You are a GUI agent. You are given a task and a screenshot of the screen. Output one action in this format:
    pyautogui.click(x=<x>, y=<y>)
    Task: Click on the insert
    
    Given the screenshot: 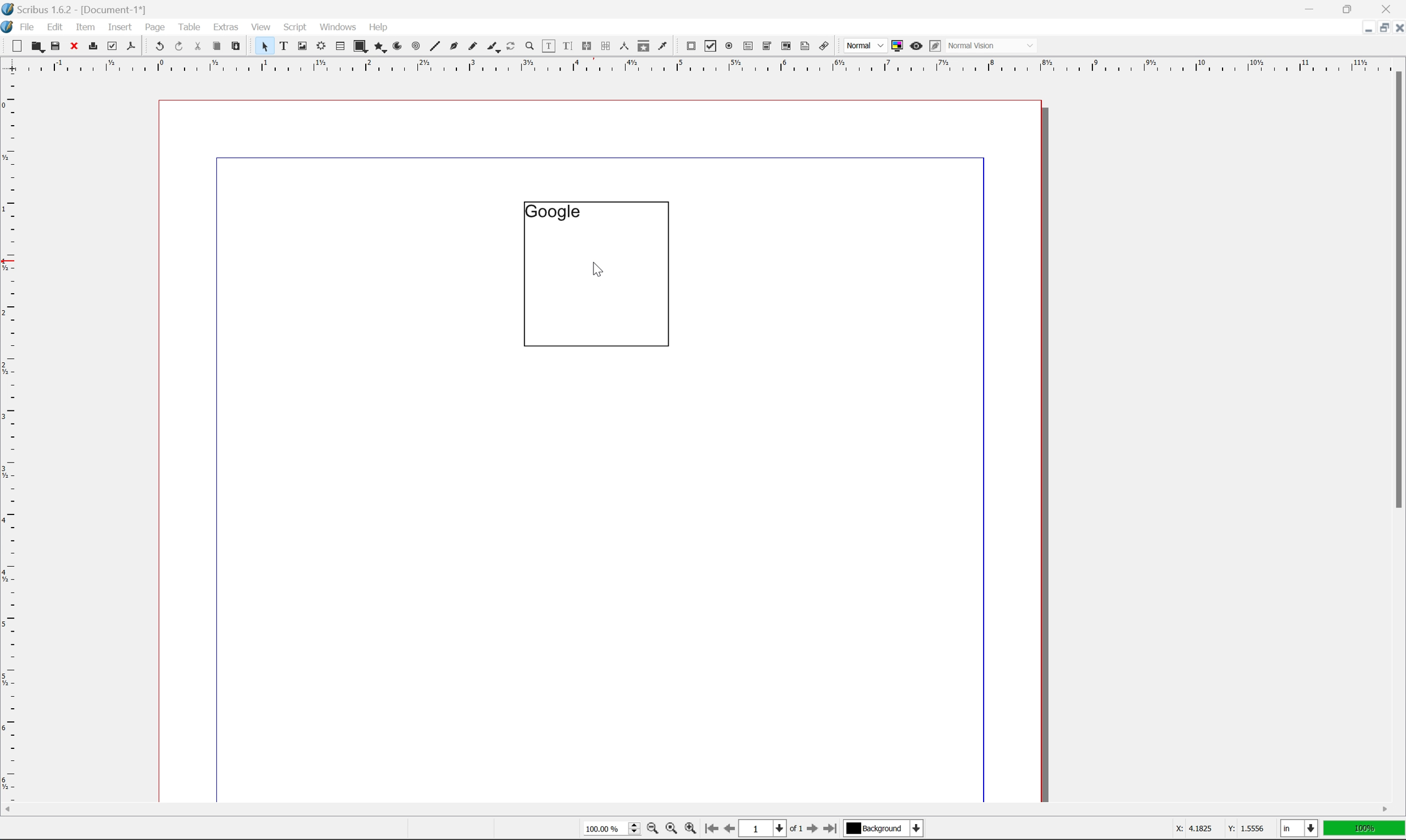 What is the action you would take?
    pyautogui.click(x=120, y=26)
    